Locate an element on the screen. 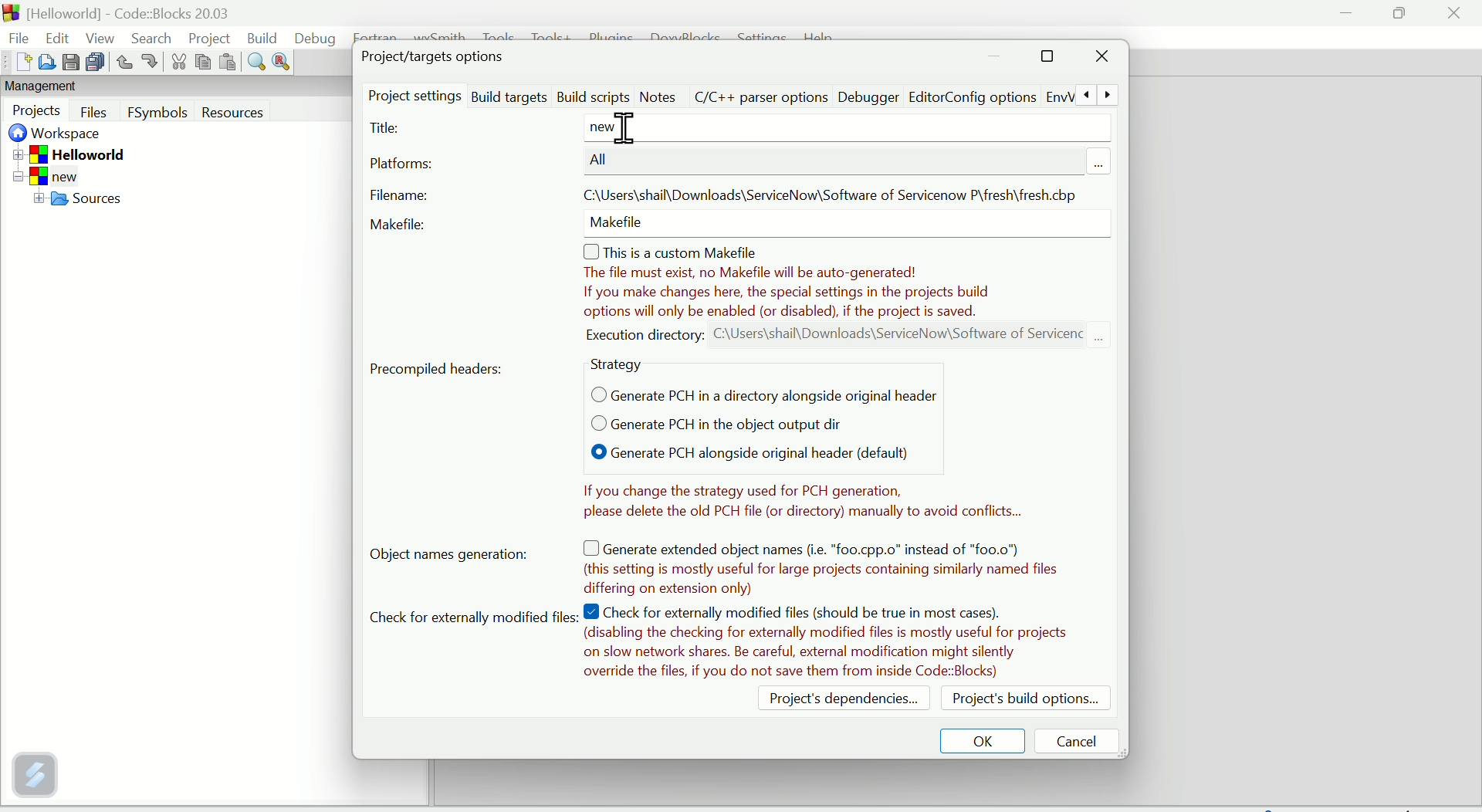 The image size is (1482, 812). Projects is located at coordinates (38, 111).